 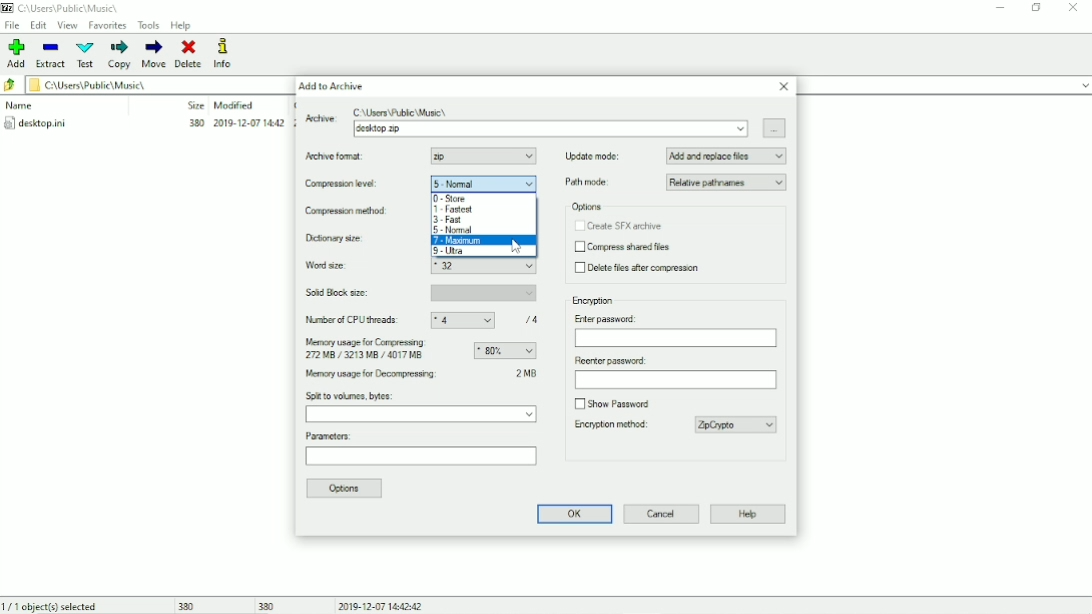 What do you see at coordinates (354, 185) in the screenshot?
I see `Compression level` at bounding box center [354, 185].